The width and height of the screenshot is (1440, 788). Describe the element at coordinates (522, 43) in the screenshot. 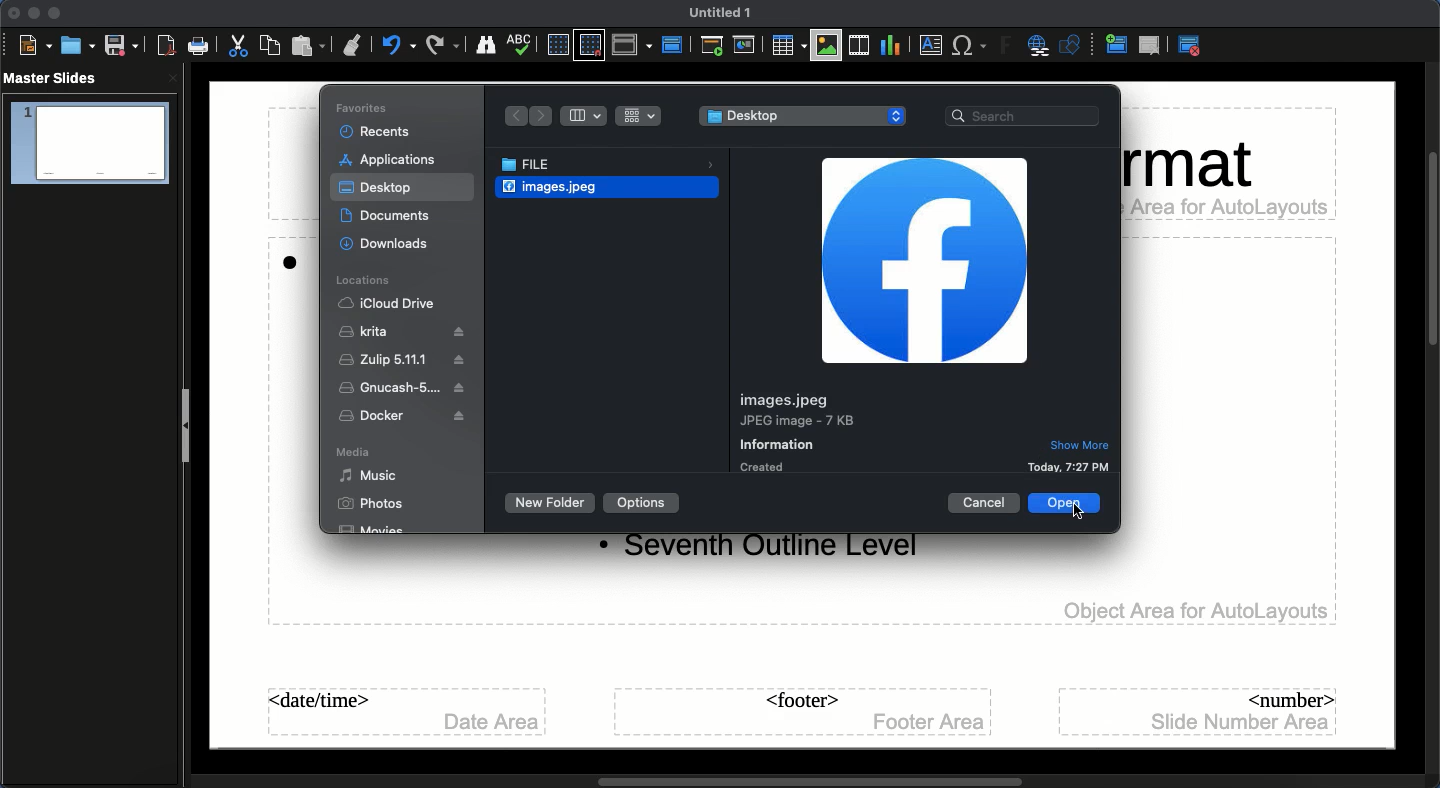

I see `Spelling` at that location.